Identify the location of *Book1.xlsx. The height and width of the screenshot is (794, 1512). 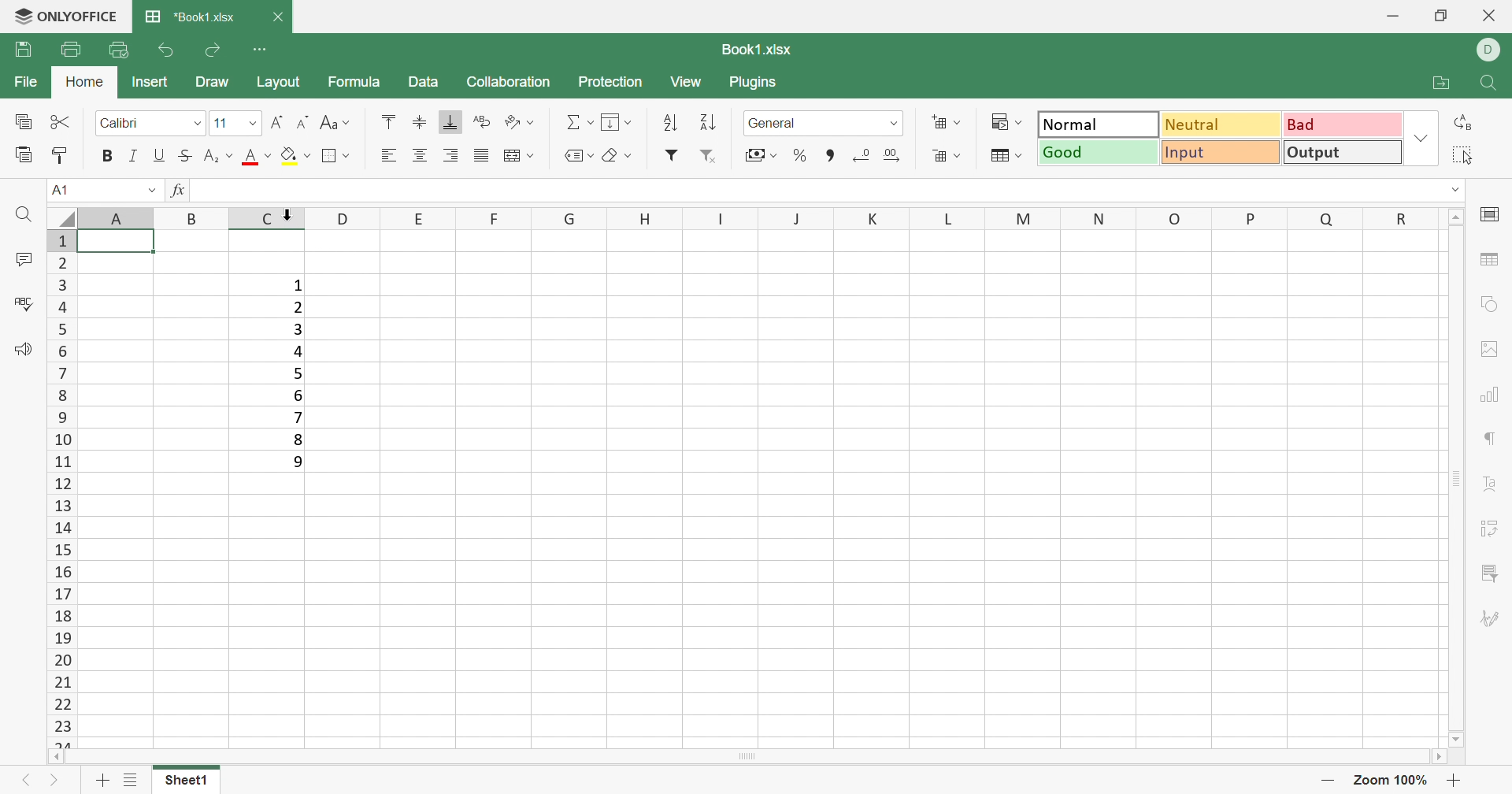
(191, 17).